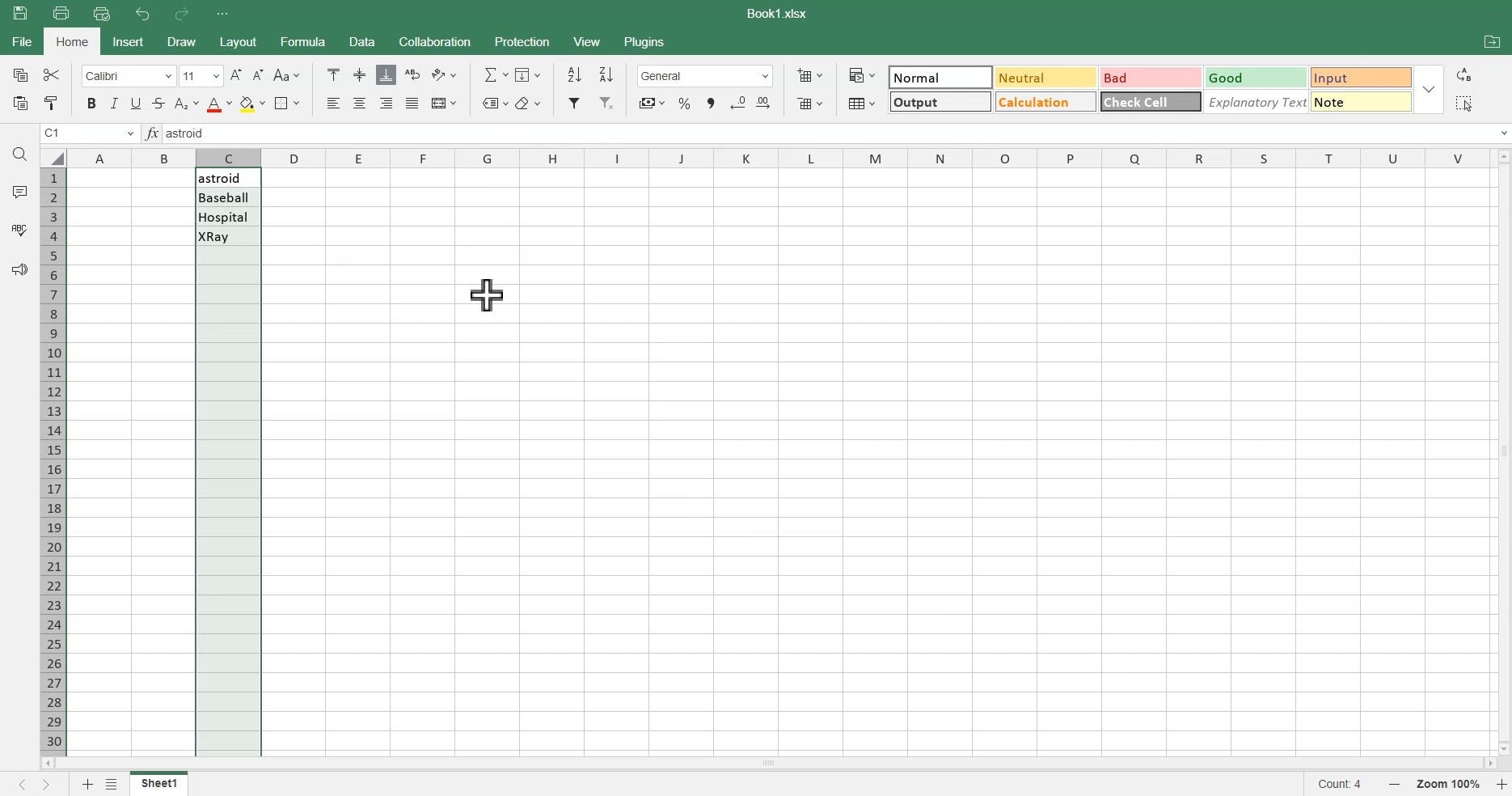 The image size is (1512, 796). What do you see at coordinates (126, 75) in the screenshot?
I see `Calibri (Change Font)` at bounding box center [126, 75].